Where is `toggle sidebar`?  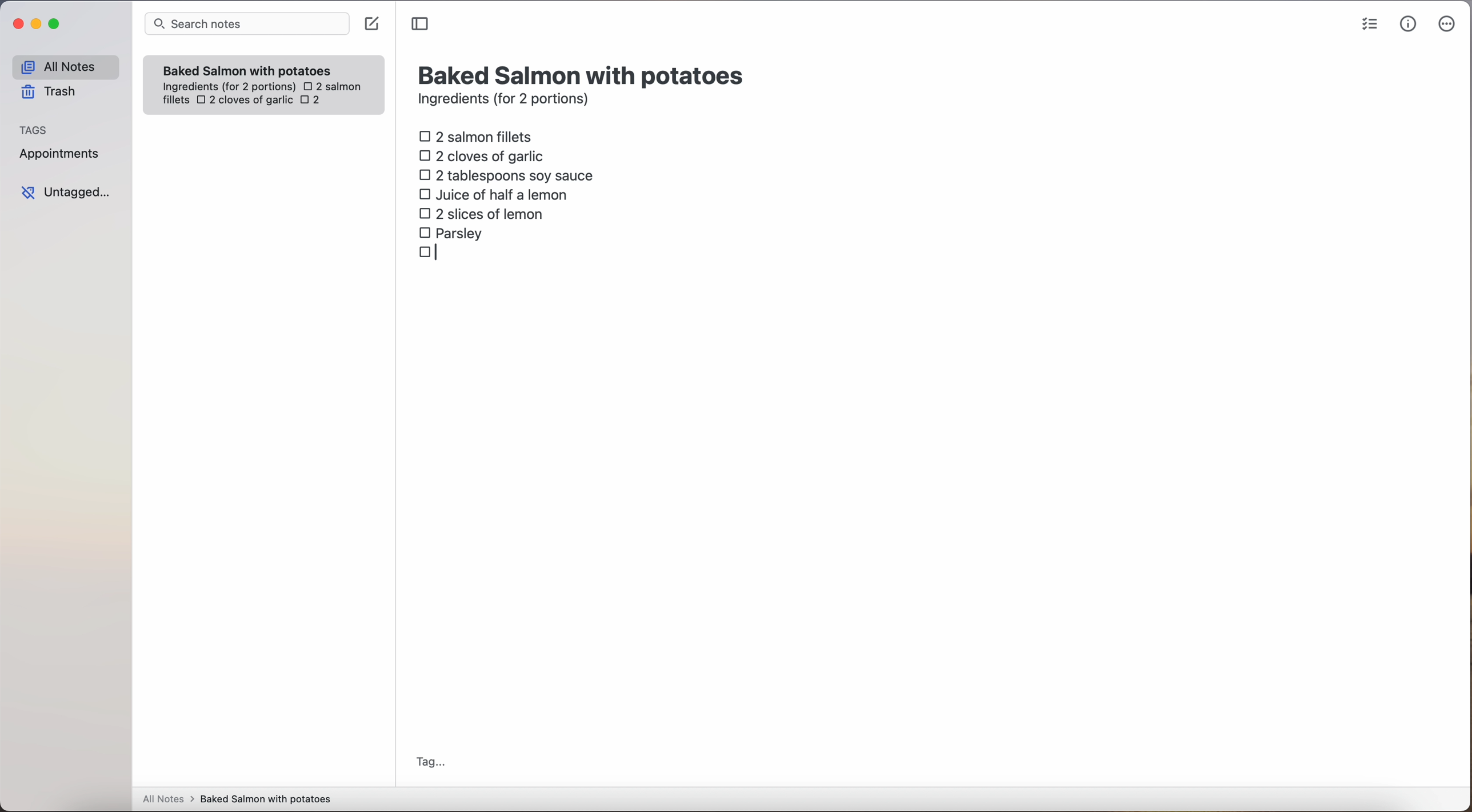
toggle sidebar is located at coordinates (421, 25).